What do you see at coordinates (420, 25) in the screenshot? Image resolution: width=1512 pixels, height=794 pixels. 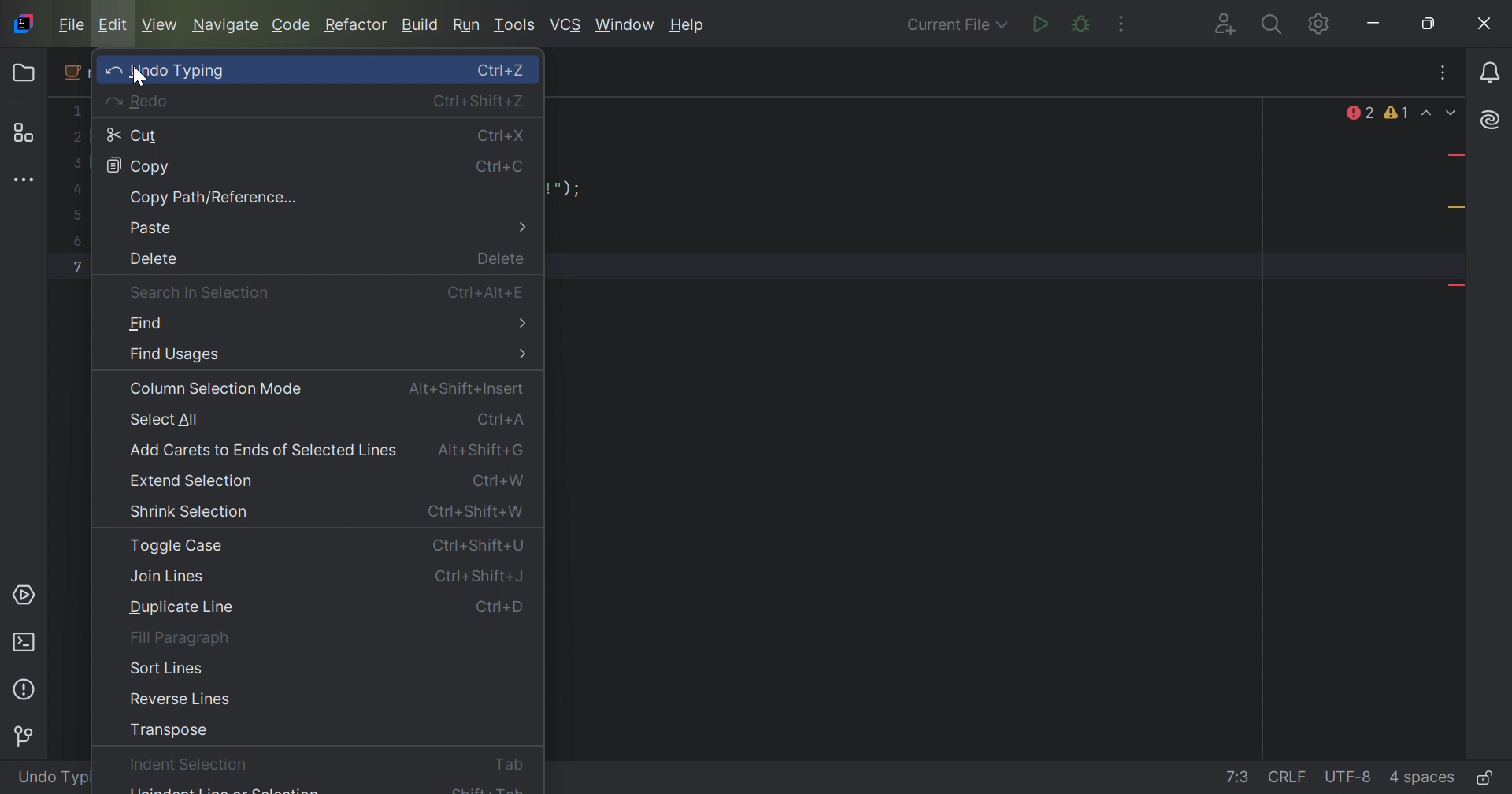 I see `Build` at bounding box center [420, 25].